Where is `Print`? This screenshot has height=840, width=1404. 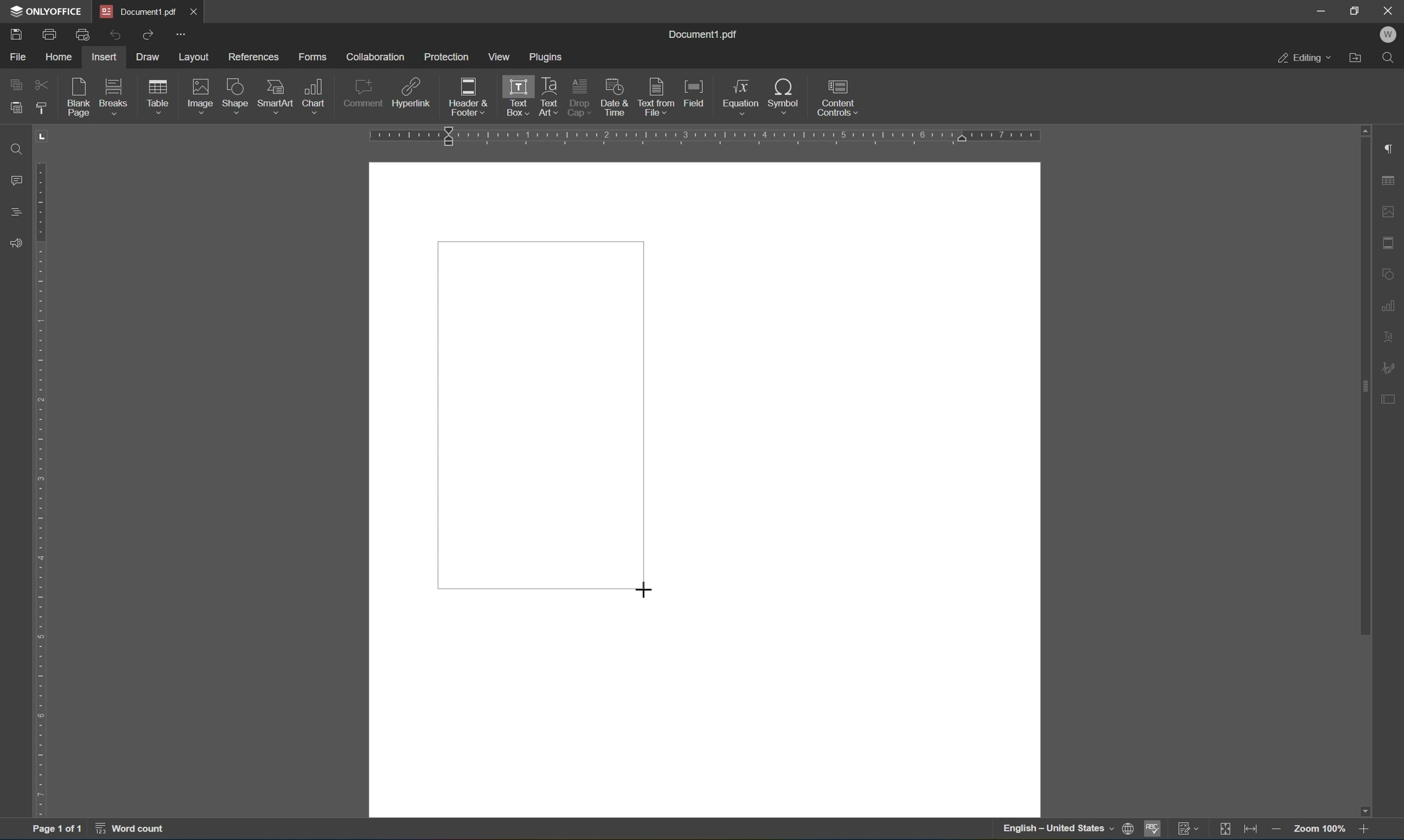
Print is located at coordinates (50, 35).